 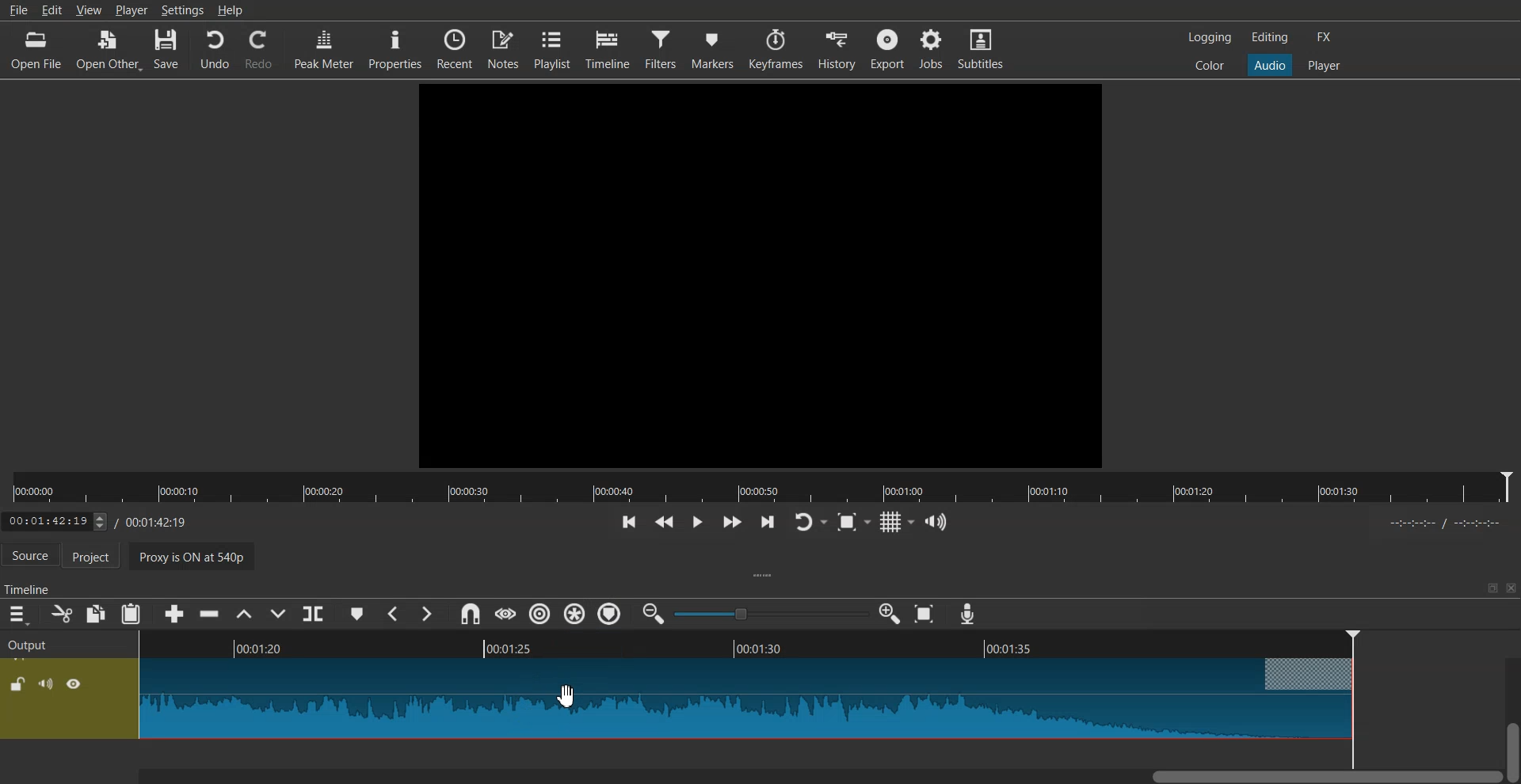 What do you see at coordinates (280, 612) in the screenshot?
I see `Overwrite` at bounding box center [280, 612].